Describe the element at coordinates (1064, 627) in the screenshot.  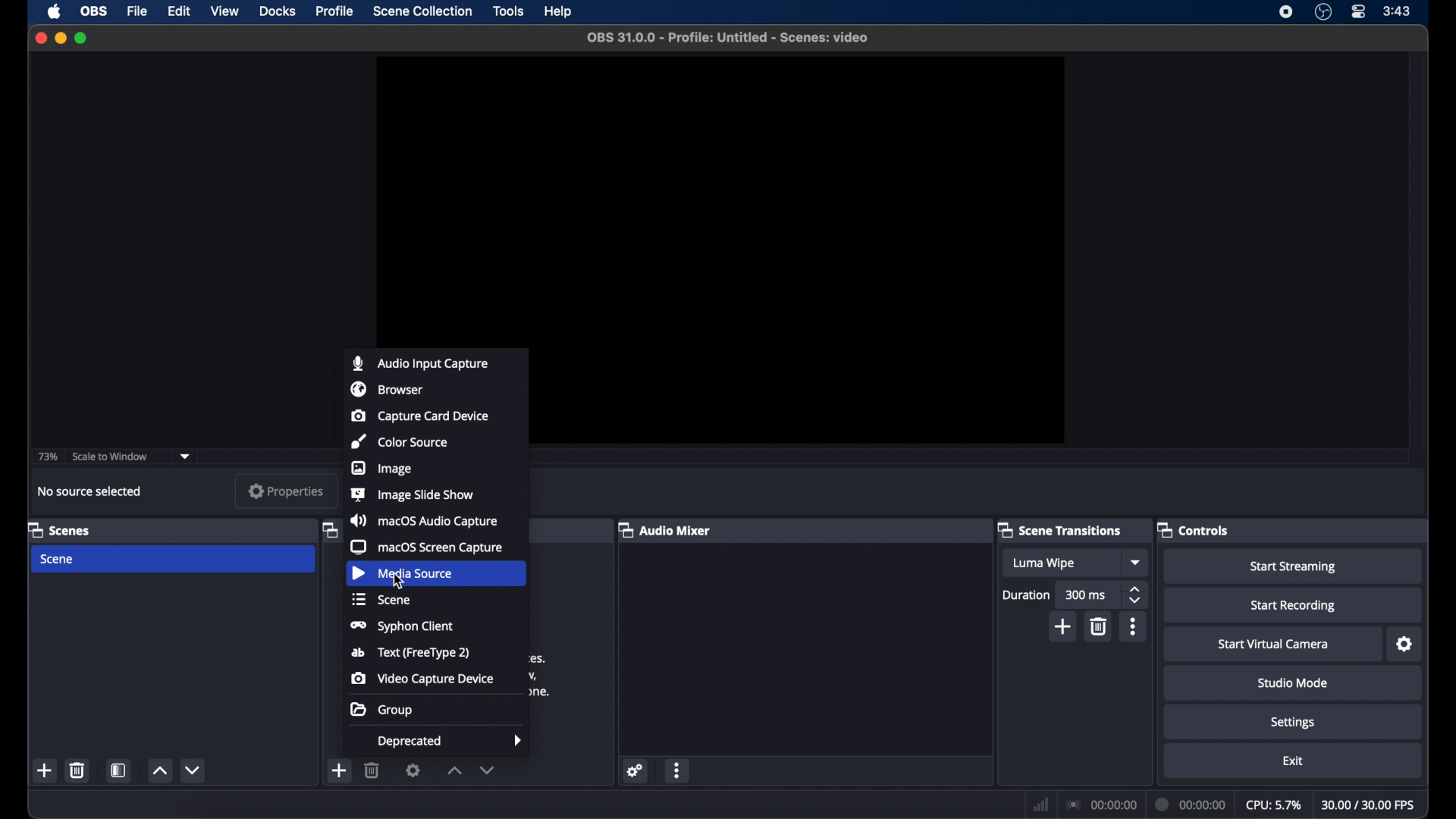
I see `add` at that location.